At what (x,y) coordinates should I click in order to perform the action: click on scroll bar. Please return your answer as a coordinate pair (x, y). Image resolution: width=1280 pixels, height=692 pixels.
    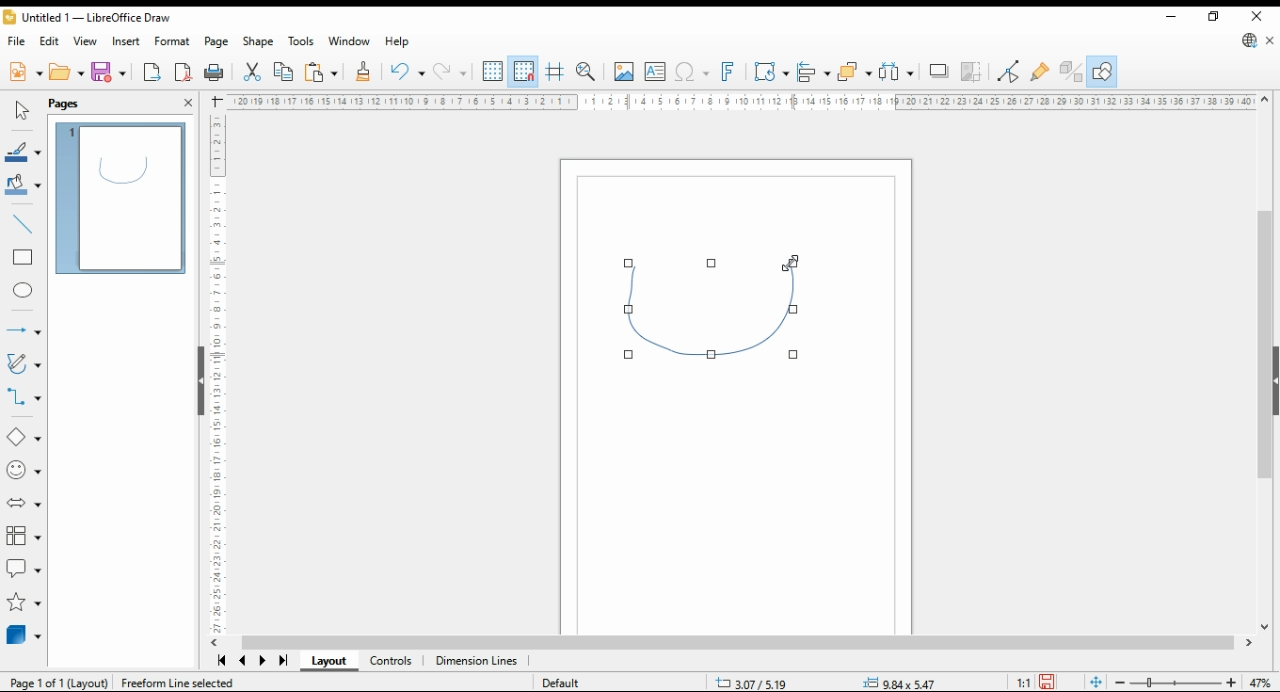
    Looking at the image, I should click on (743, 643).